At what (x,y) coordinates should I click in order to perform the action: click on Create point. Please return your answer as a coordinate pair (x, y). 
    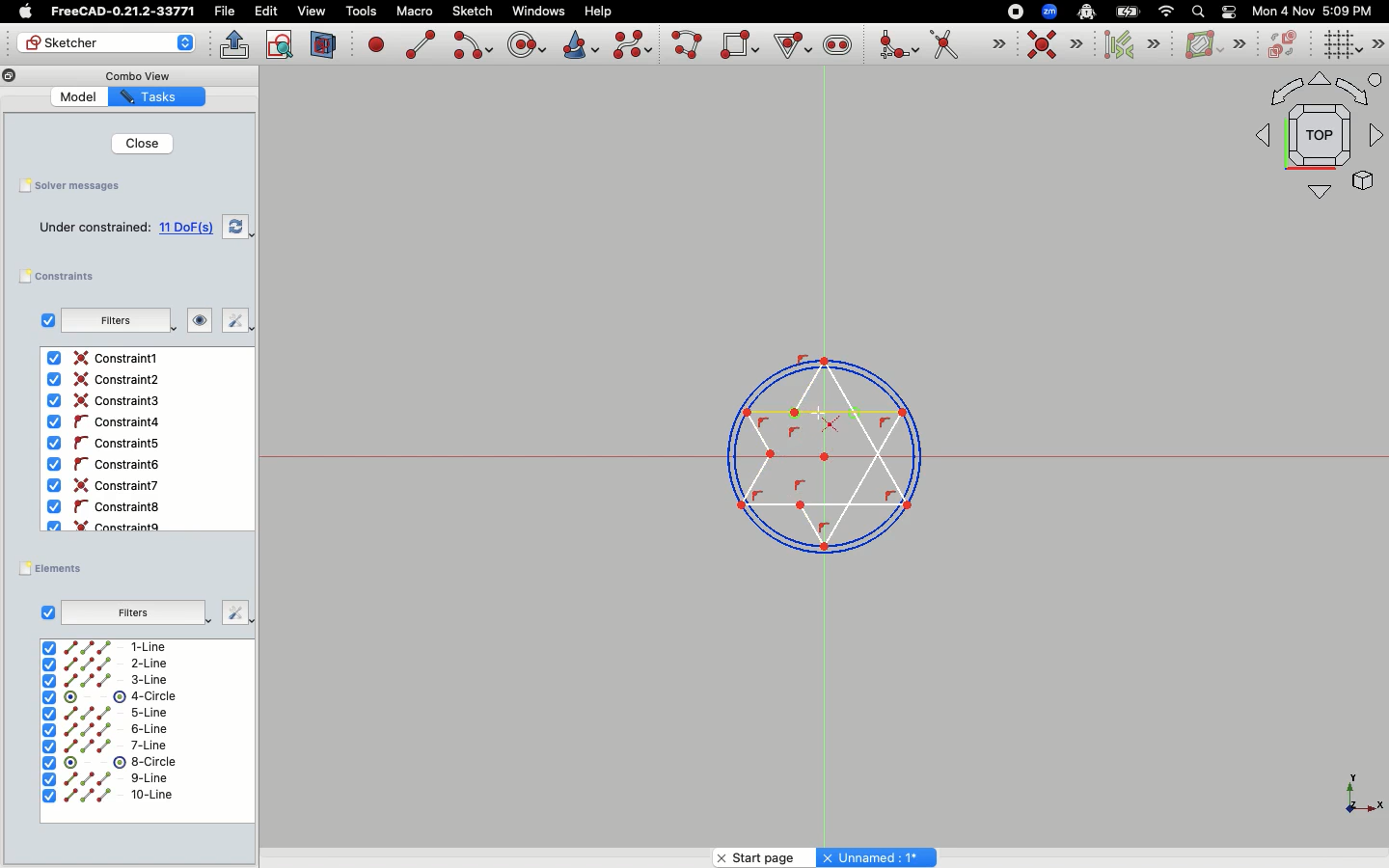
    Looking at the image, I should click on (377, 43).